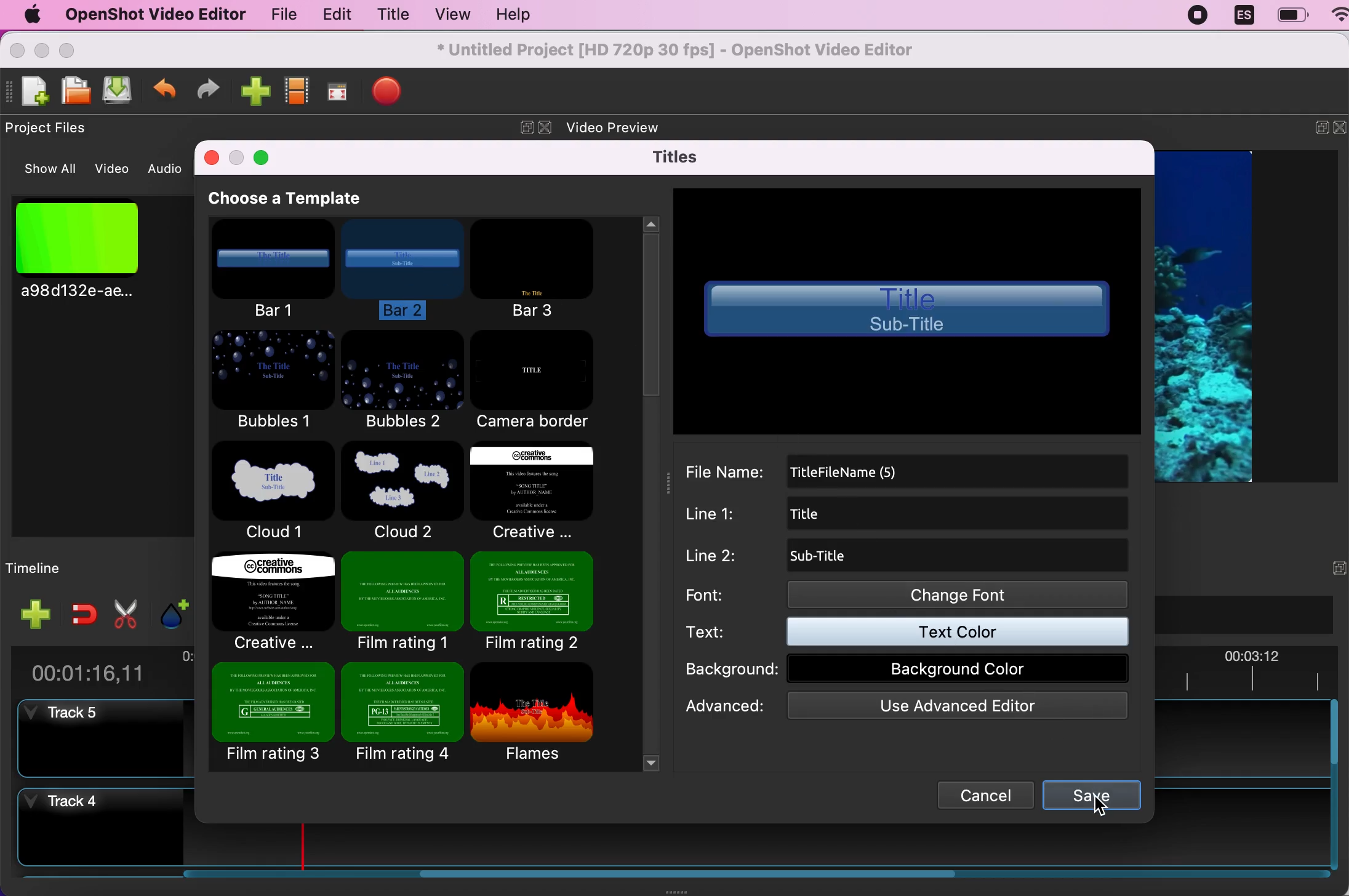 The image size is (1349, 896). Describe the element at coordinates (266, 159) in the screenshot. I see `maximize` at that location.